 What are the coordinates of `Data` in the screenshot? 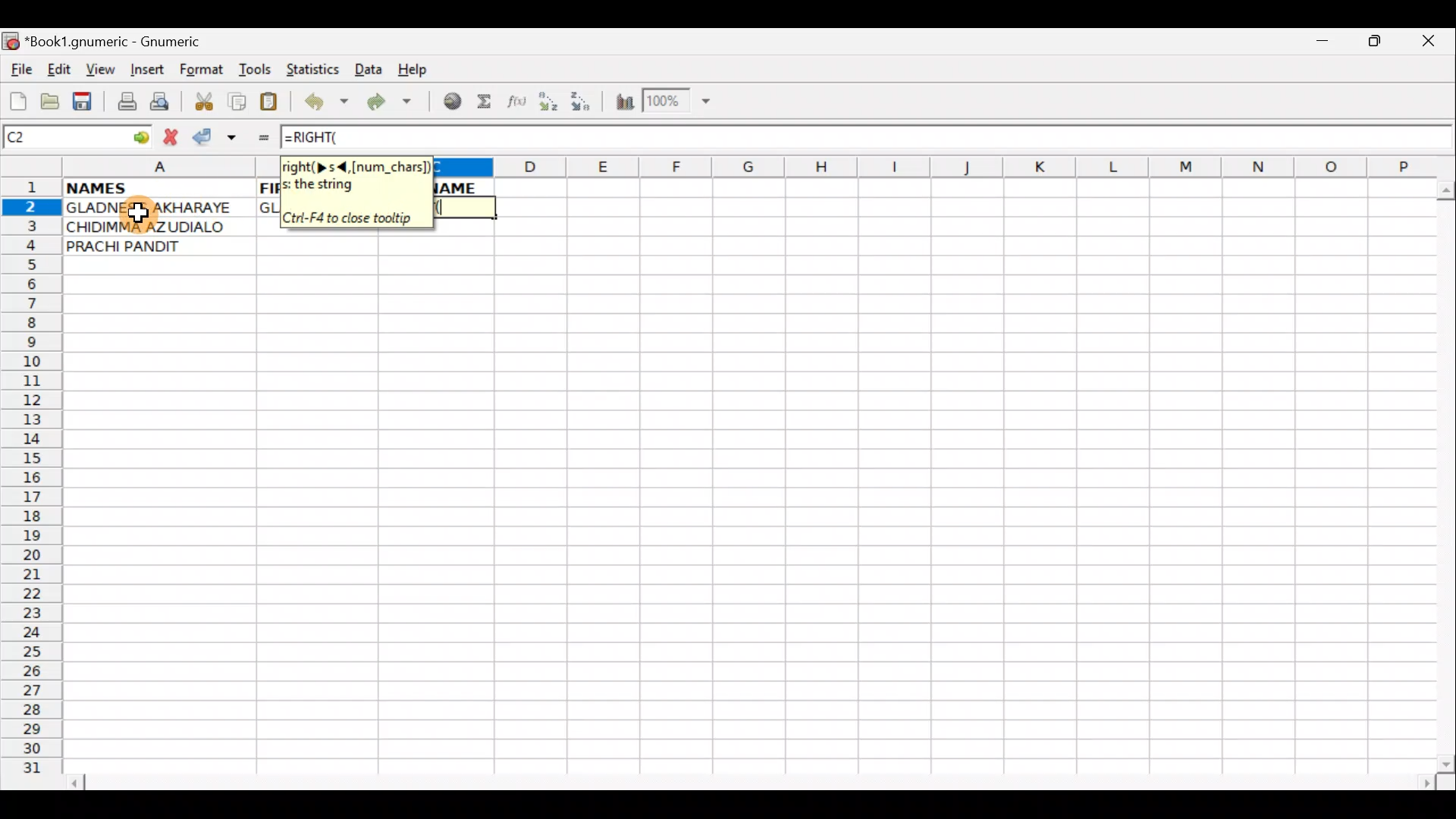 It's located at (368, 68).